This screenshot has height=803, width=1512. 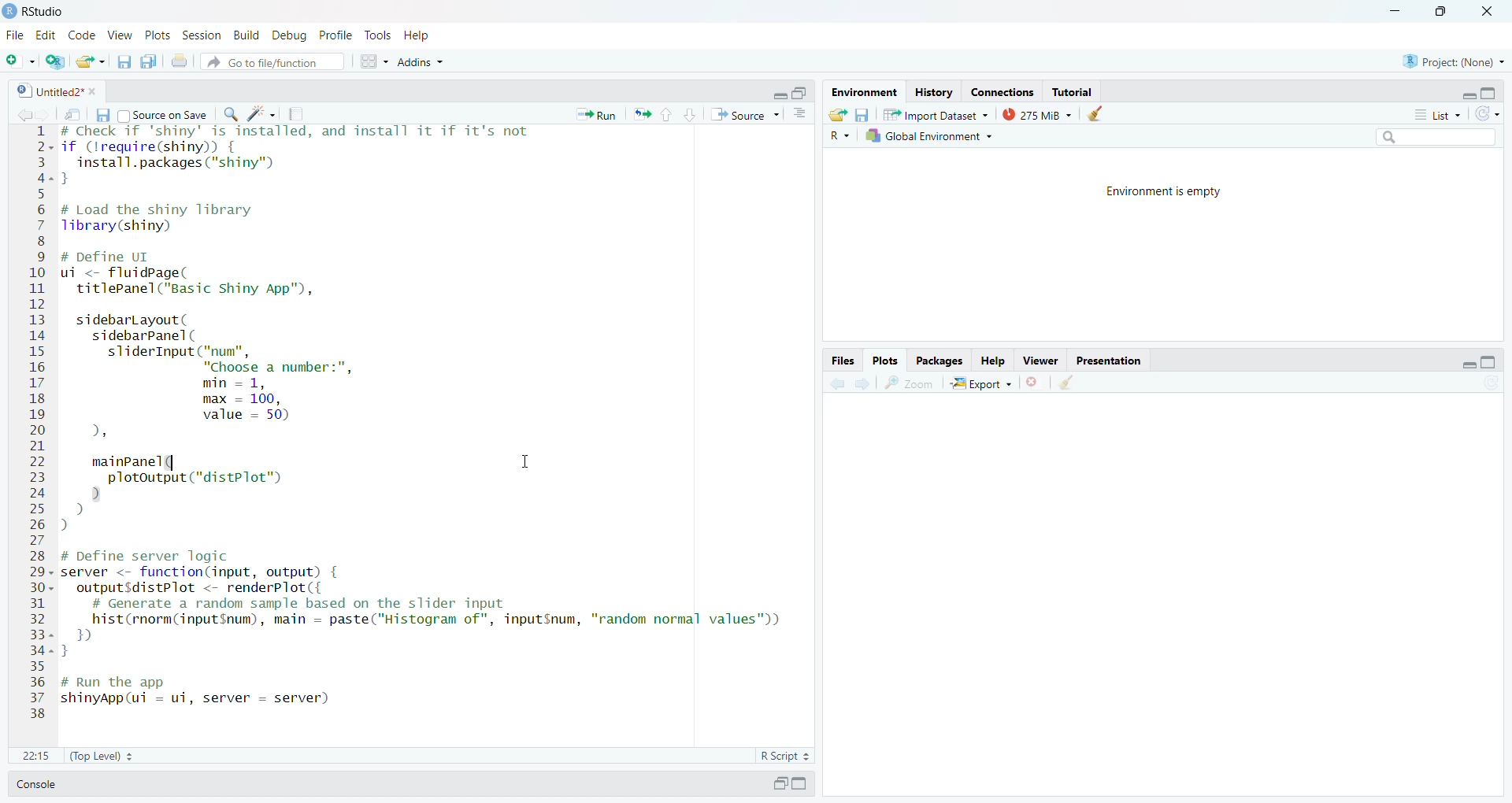 I want to click on sidebarLayout (sidebarpanel(sliderInput("num","Choose a number:",min = 1,max = 100,value = 50),, so click(x=228, y=378).